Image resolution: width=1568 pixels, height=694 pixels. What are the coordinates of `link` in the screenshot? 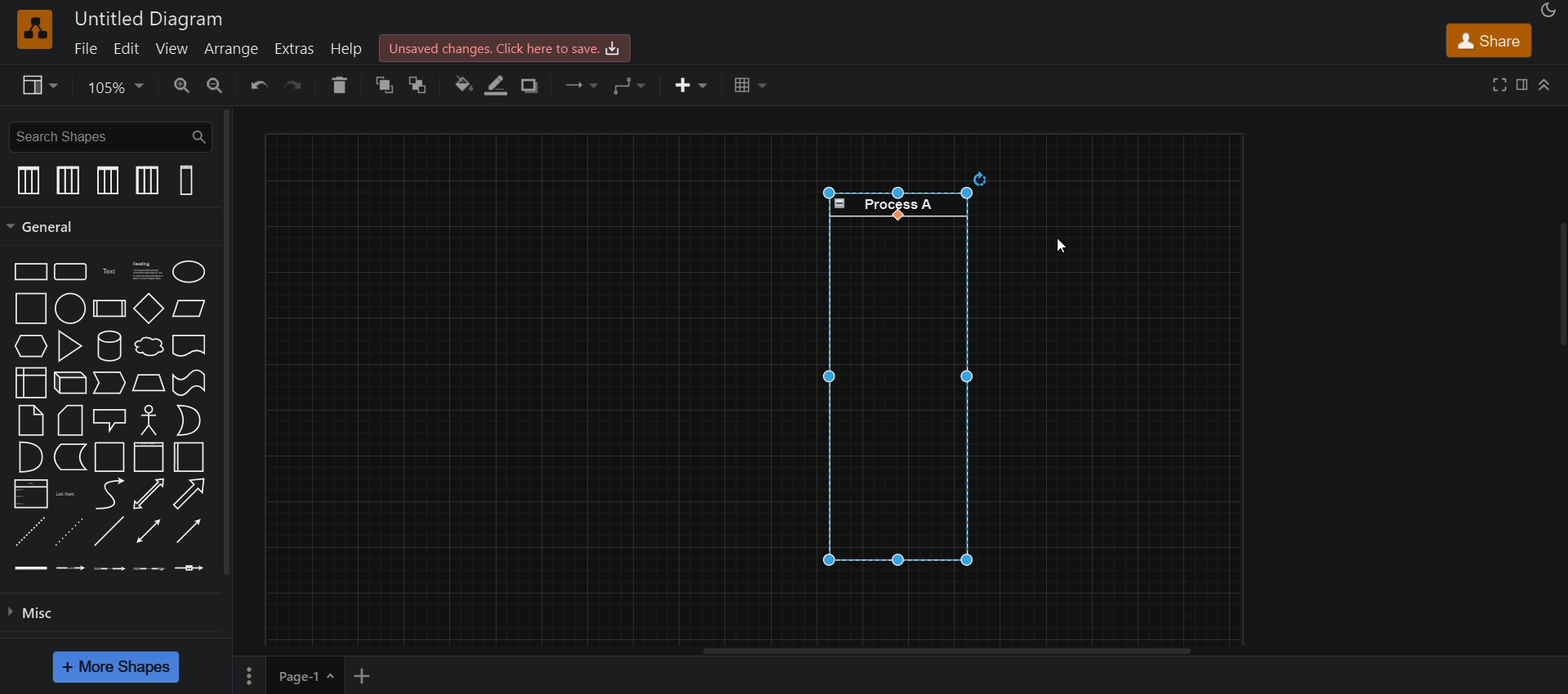 It's located at (31, 568).